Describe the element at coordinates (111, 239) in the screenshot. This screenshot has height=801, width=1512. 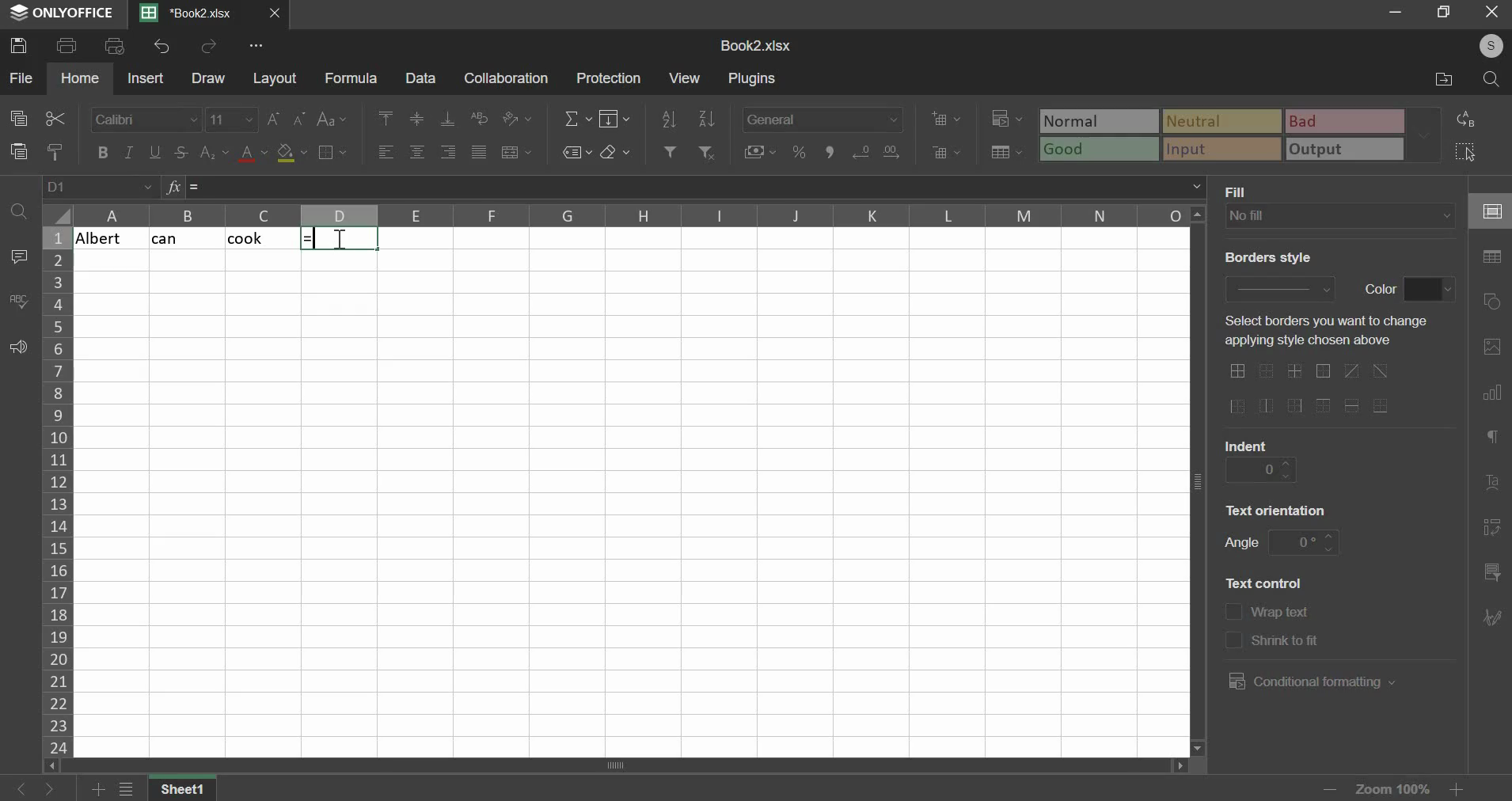
I see `albert` at that location.